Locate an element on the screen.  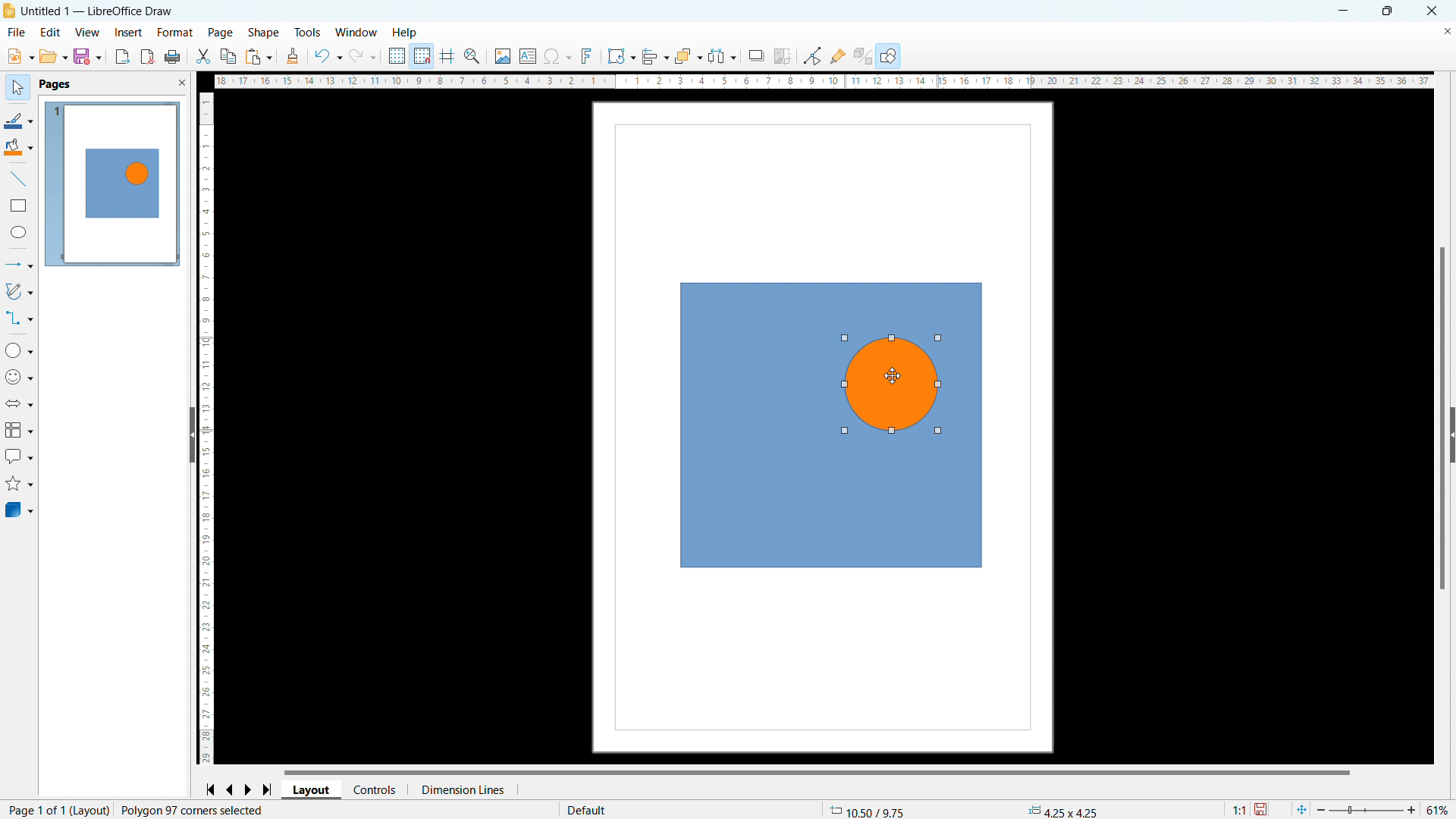
print is located at coordinates (172, 56).